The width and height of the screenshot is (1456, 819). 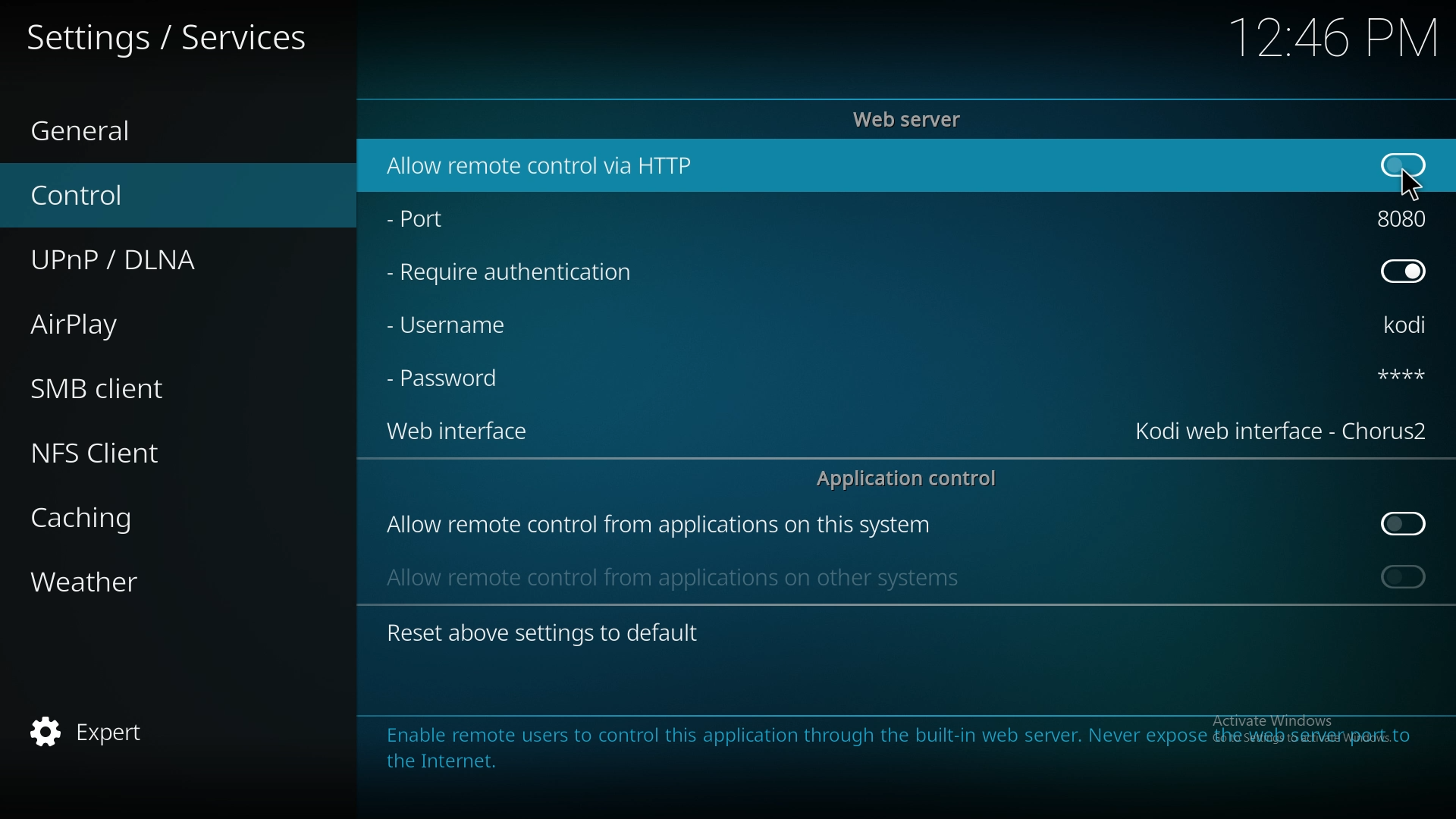 I want to click on services, so click(x=174, y=36).